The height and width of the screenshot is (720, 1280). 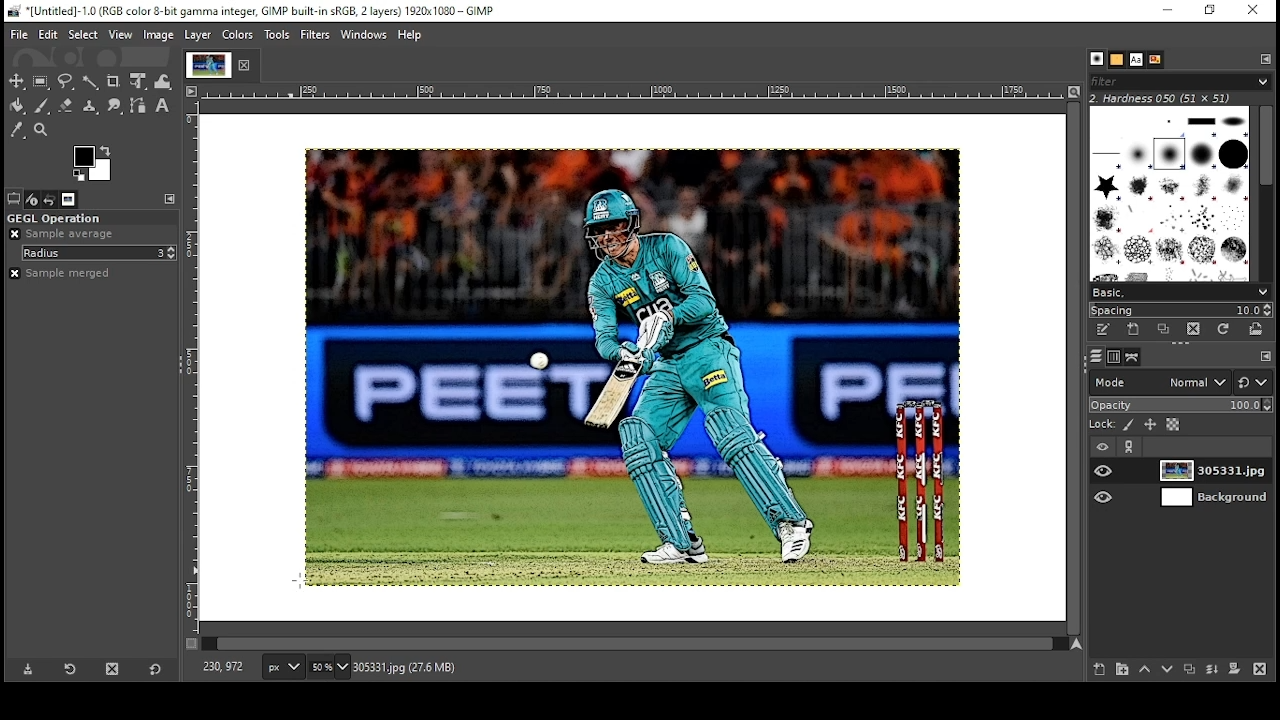 What do you see at coordinates (1213, 671) in the screenshot?
I see `merge layer` at bounding box center [1213, 671].